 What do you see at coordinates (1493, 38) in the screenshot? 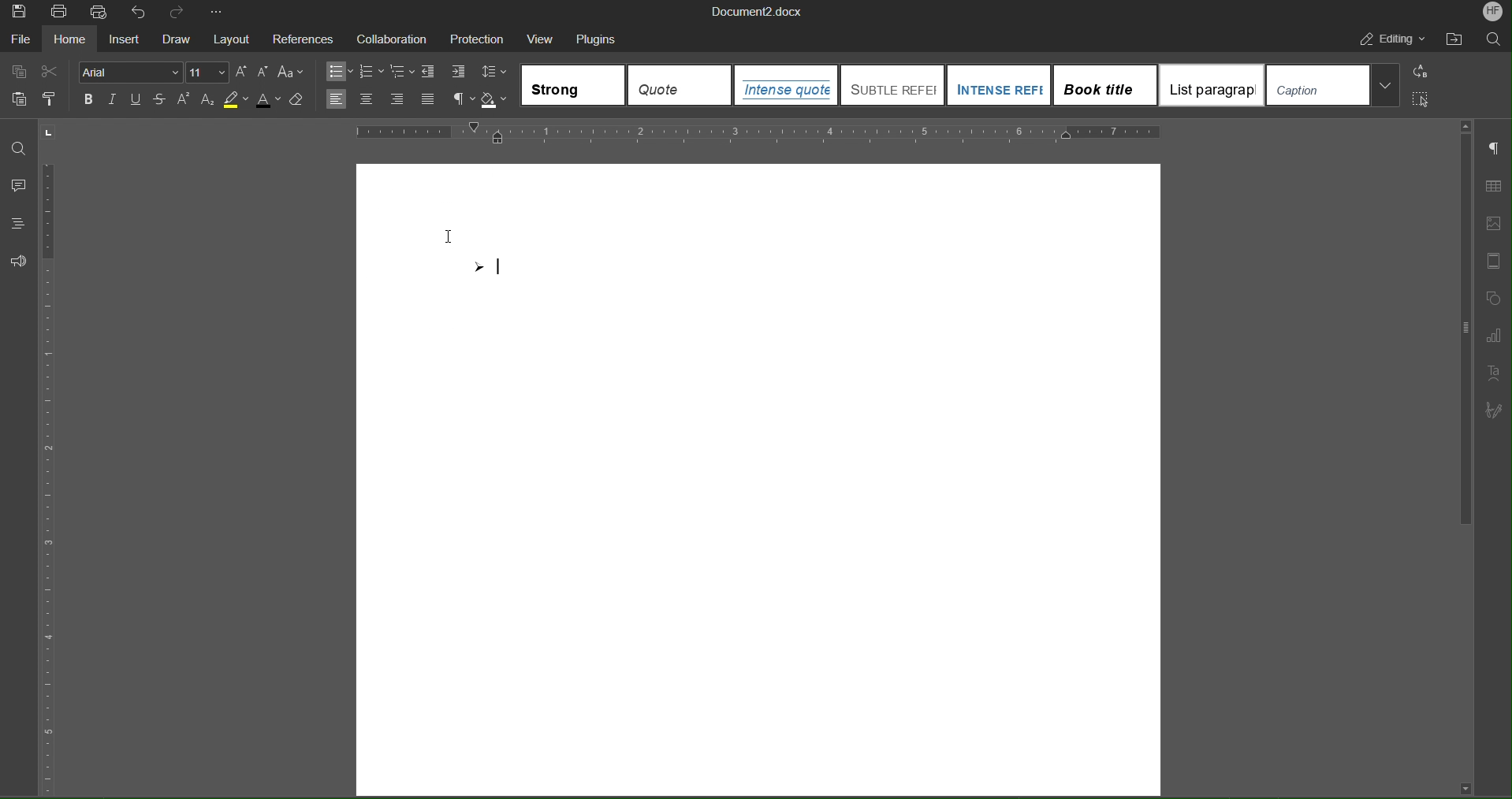
I see `Search` at bounding box center [1493, 38].